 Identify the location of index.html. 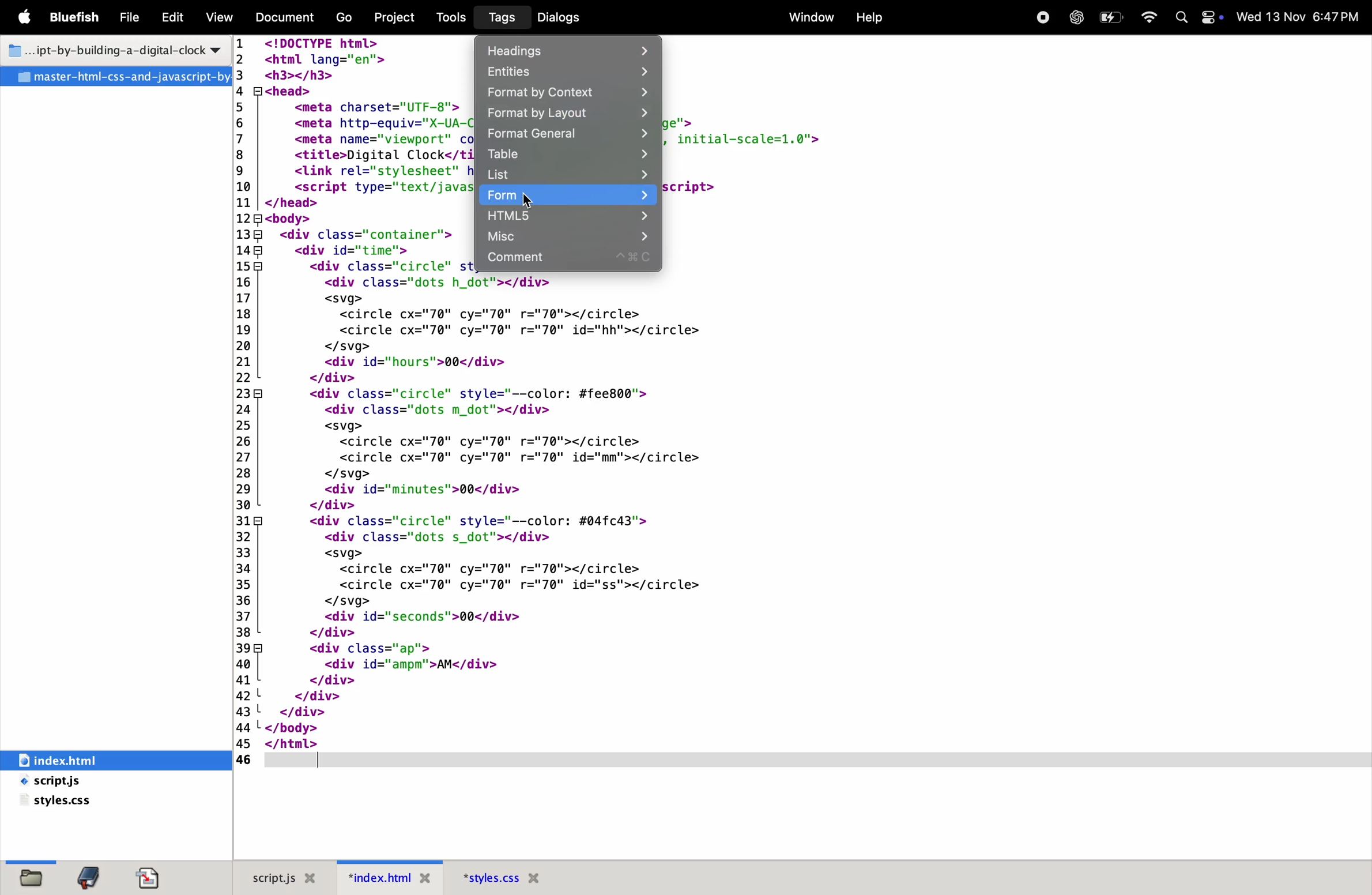
(89, 759).